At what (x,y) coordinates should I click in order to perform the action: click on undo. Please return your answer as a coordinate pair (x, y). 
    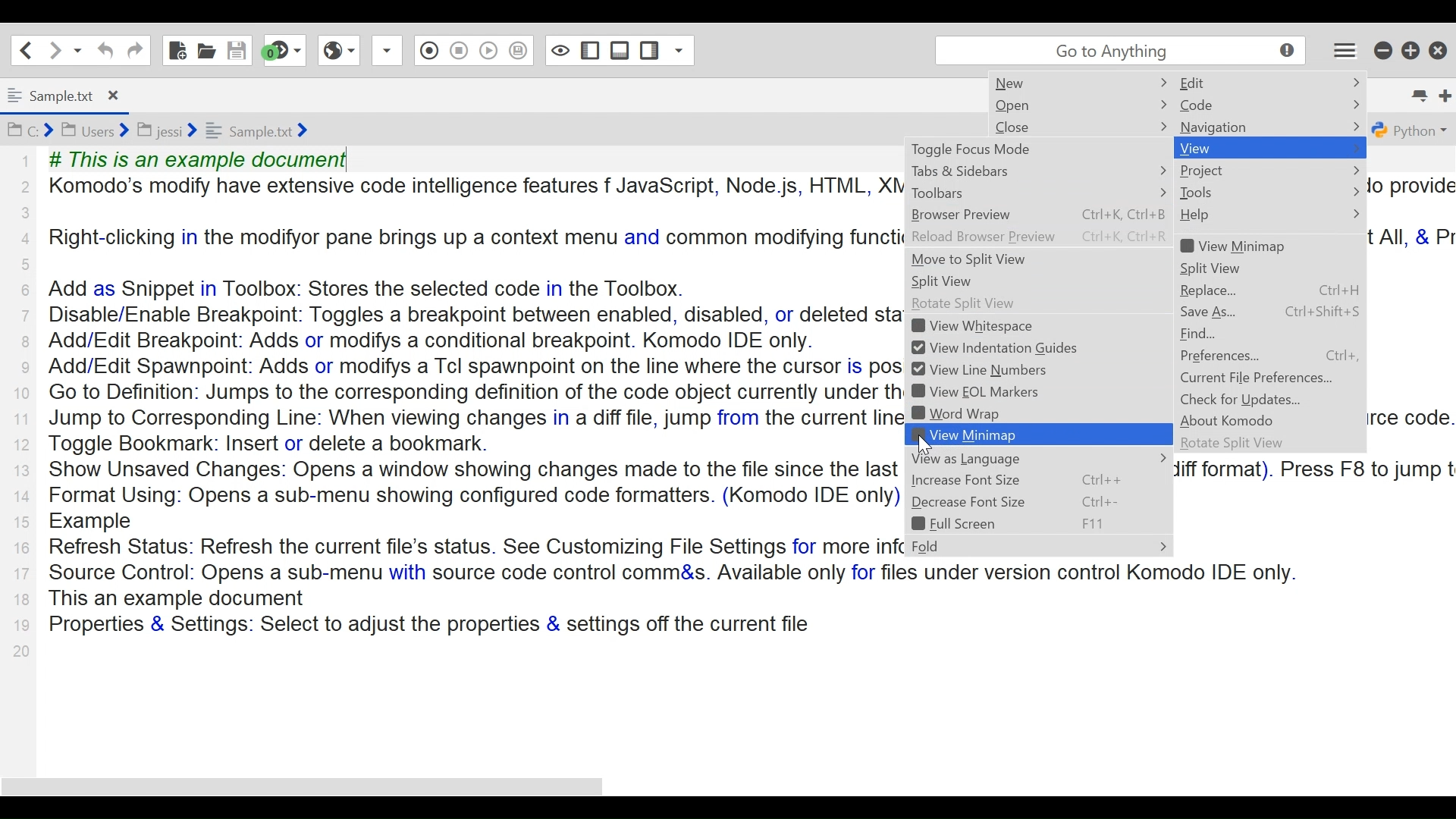
    Looking at the image, I should click on (103, 50).